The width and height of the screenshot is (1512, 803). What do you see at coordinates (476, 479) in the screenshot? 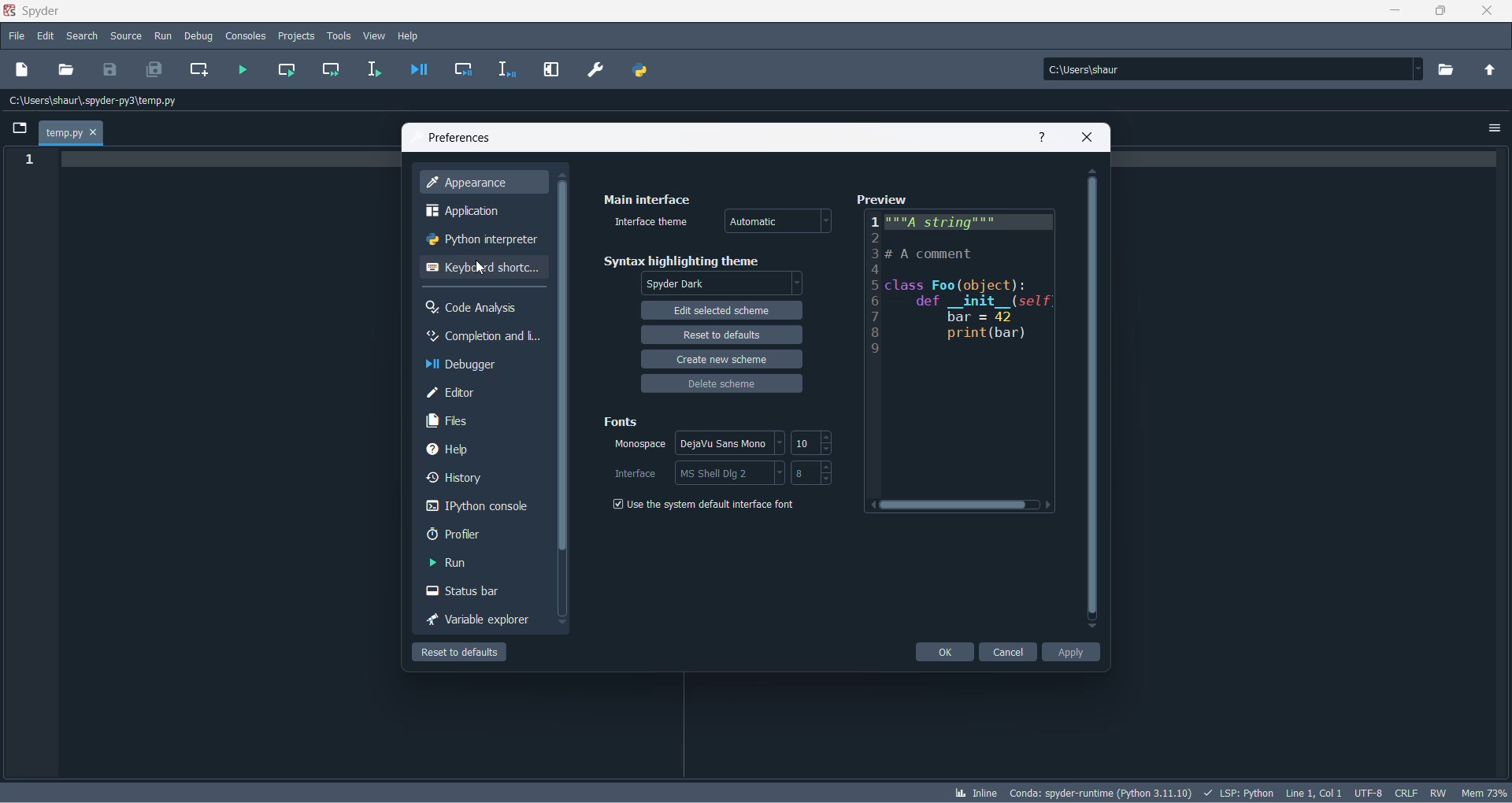
I see `history` at bounding box center [476, 479].